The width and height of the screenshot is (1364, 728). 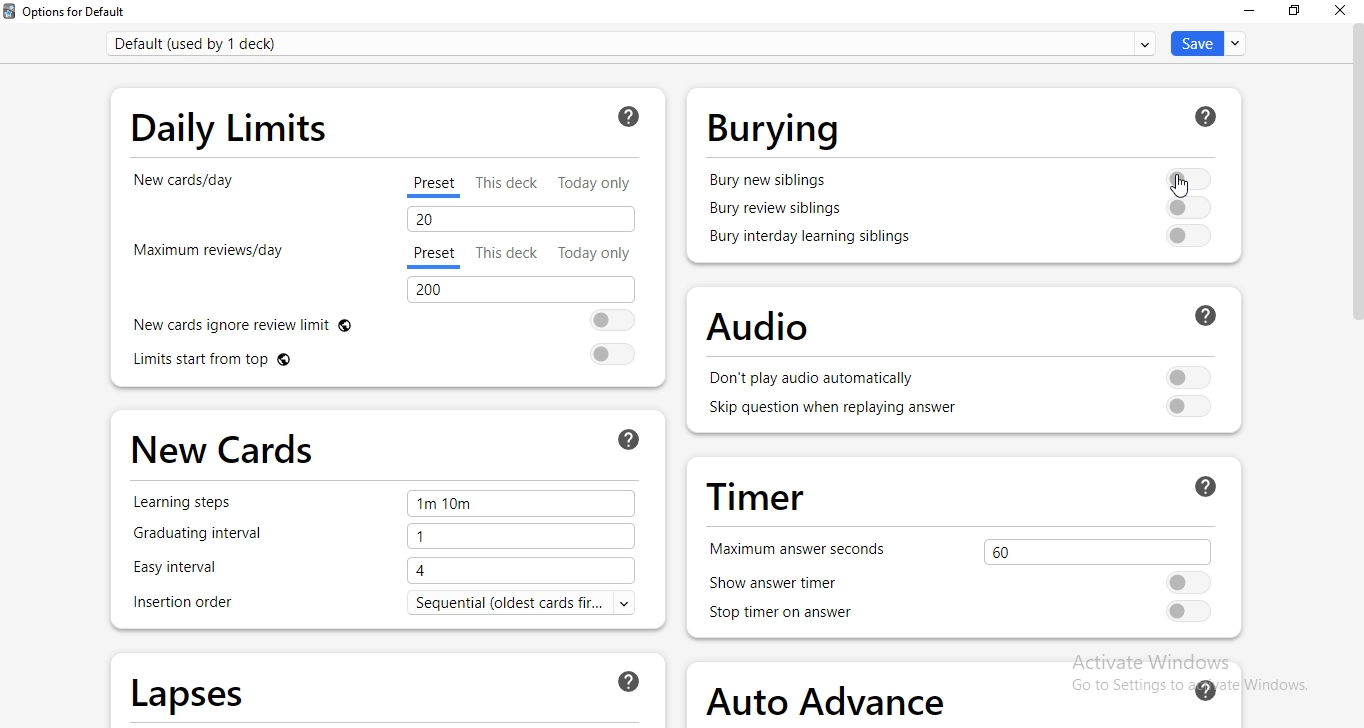 What do you see at coordinates (814, 379) in the screenshot?
I see `don't play audio automatically` at bounding box center [814, 379].